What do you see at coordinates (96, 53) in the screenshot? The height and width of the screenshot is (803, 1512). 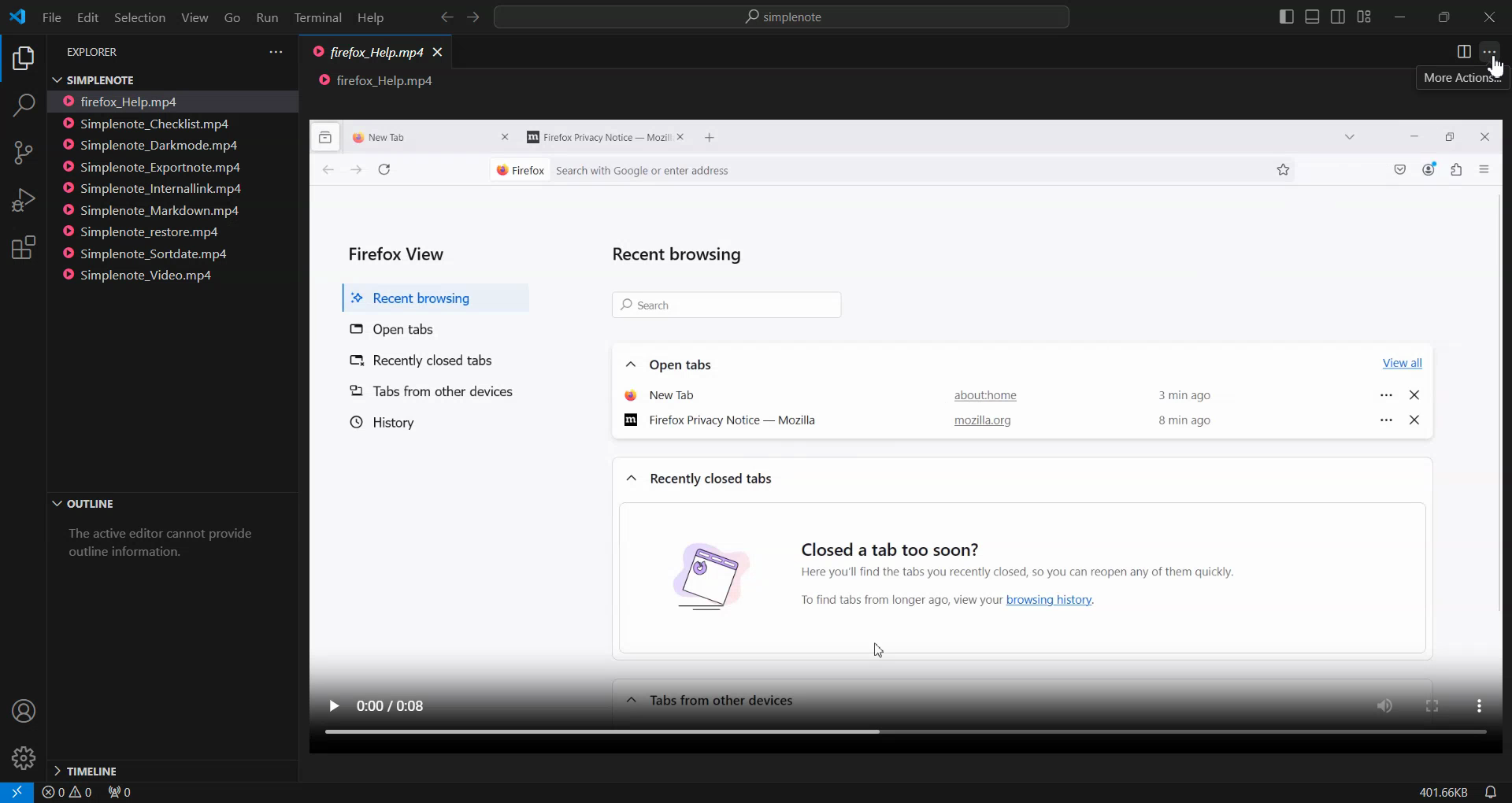 I see `EXPLORER` at bounding box center [96, 53].